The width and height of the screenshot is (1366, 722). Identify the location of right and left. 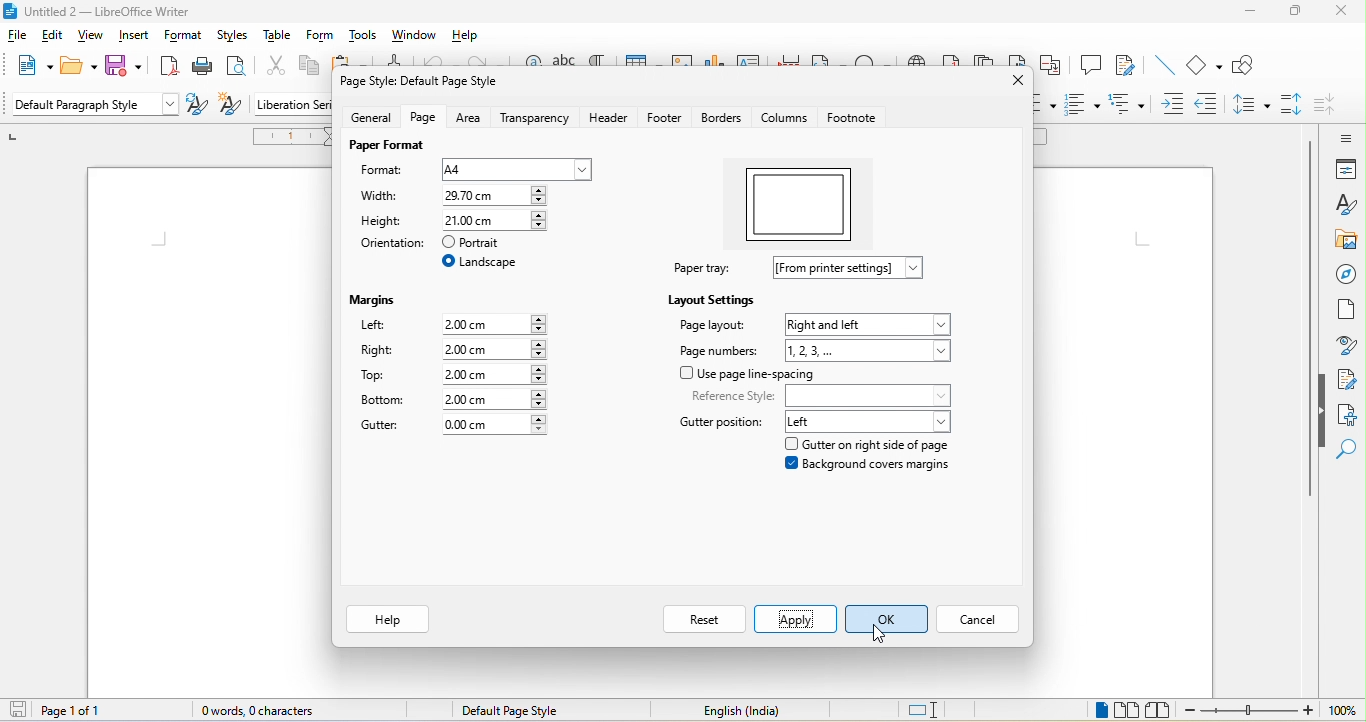
(870, 322).